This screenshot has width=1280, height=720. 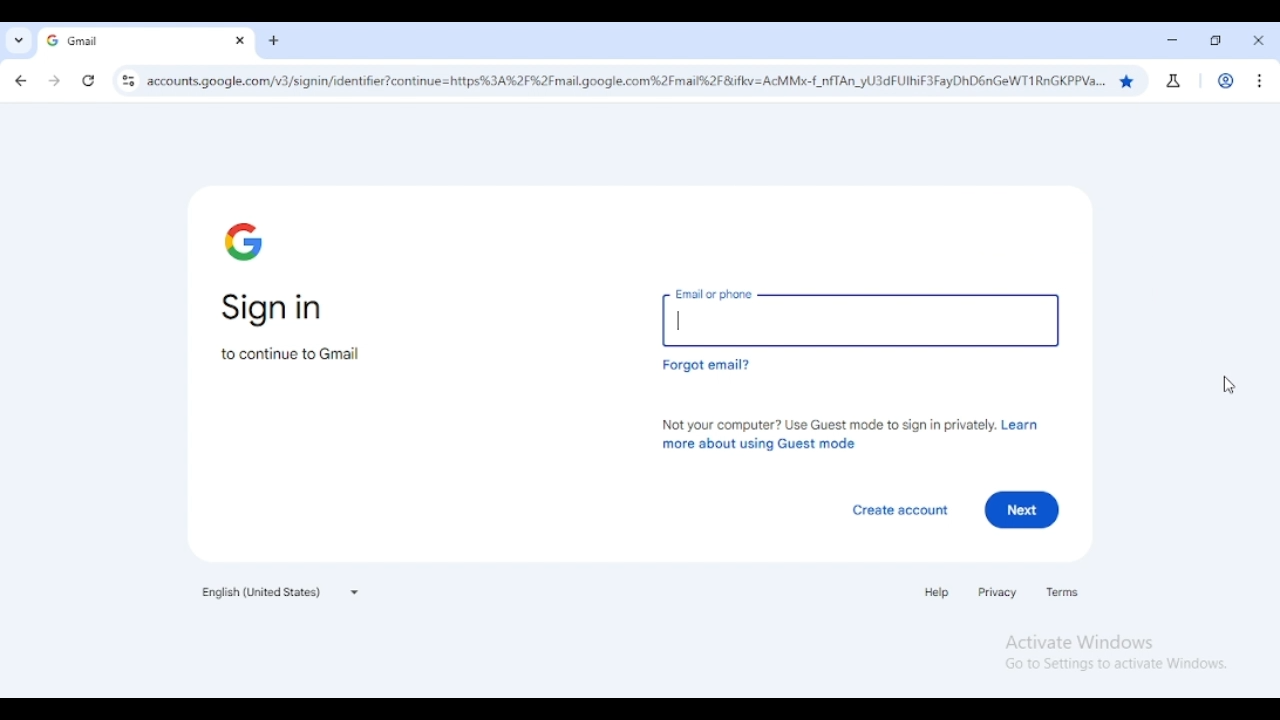 What do you see at coordinates (1226, 81) in the screenshot?
I see `profile` at bounding box center [1226, 81].